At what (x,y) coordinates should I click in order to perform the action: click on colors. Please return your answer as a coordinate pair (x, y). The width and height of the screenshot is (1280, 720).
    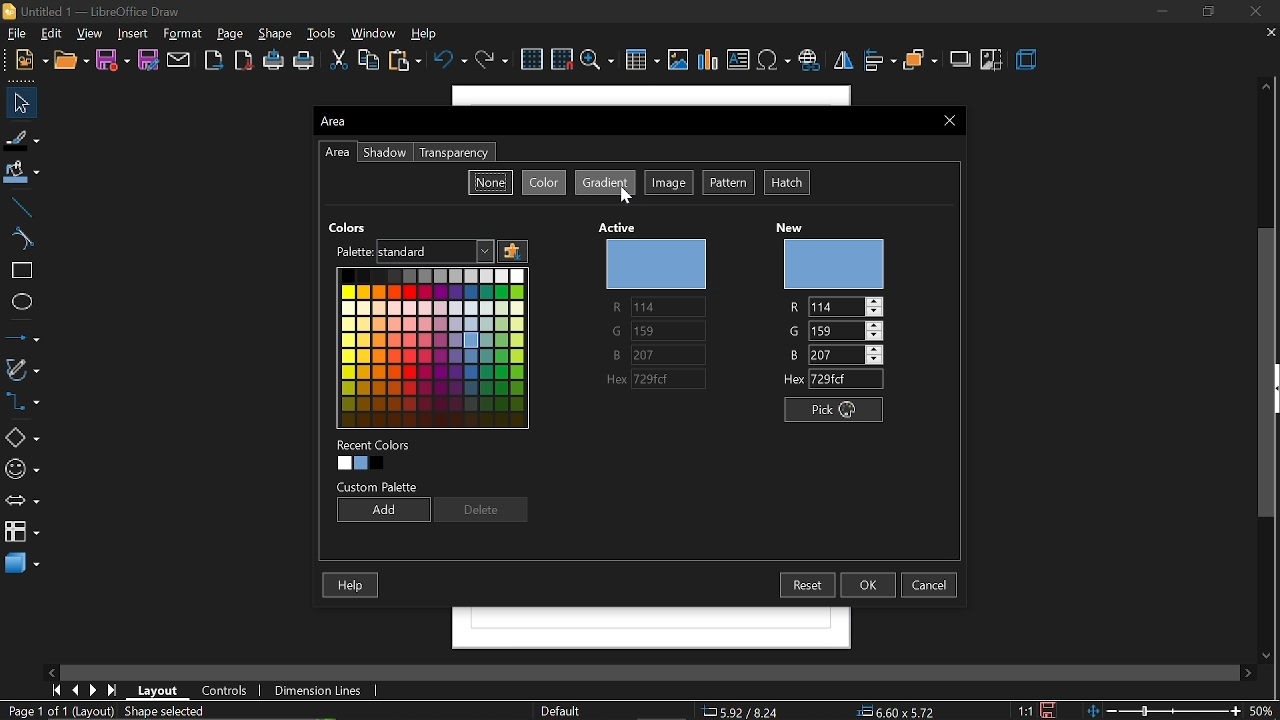
    Looking at the image, I should click on (431, 348).